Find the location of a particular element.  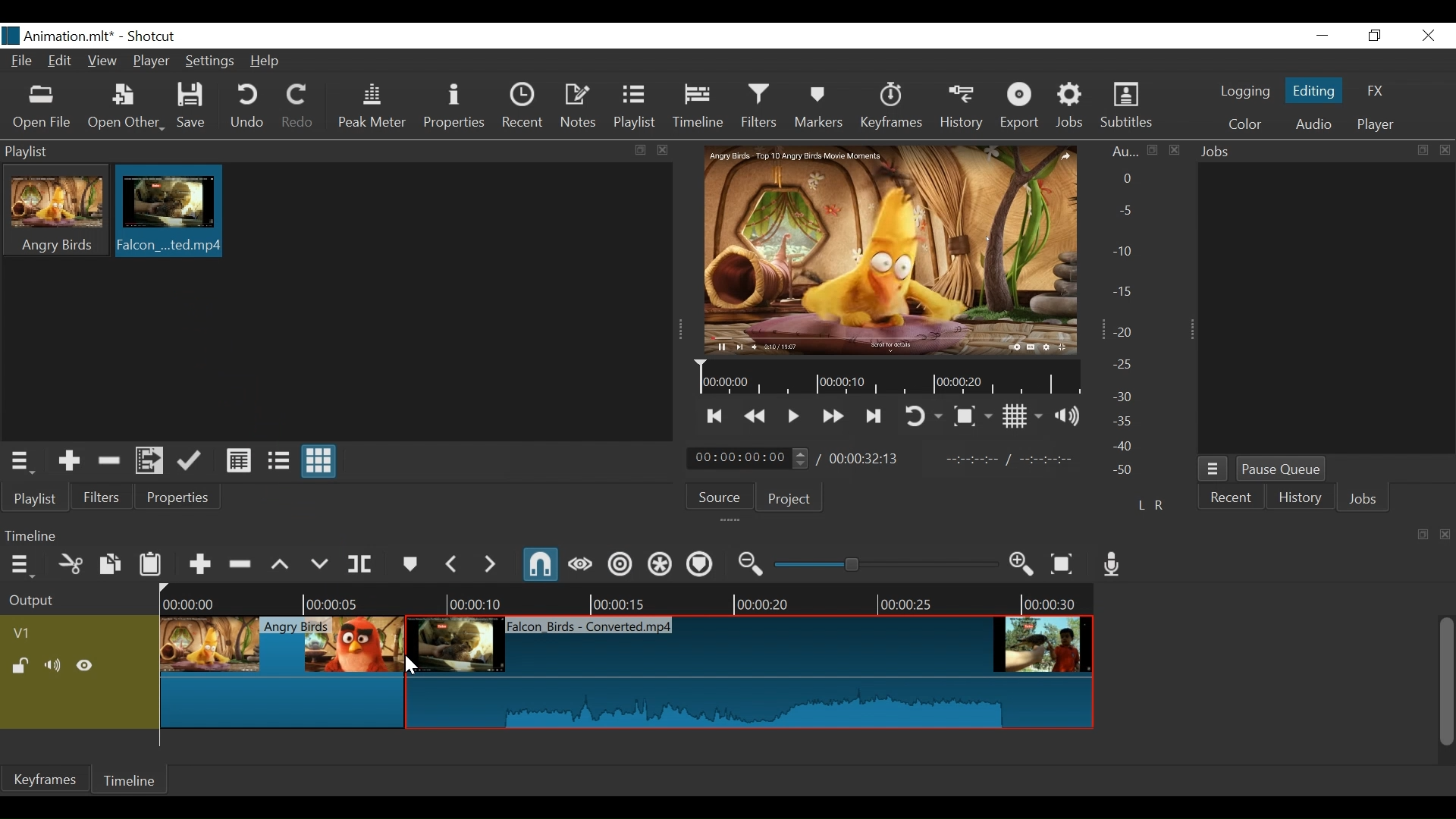

Toggle play or pause is located at coordinates (794, 416).